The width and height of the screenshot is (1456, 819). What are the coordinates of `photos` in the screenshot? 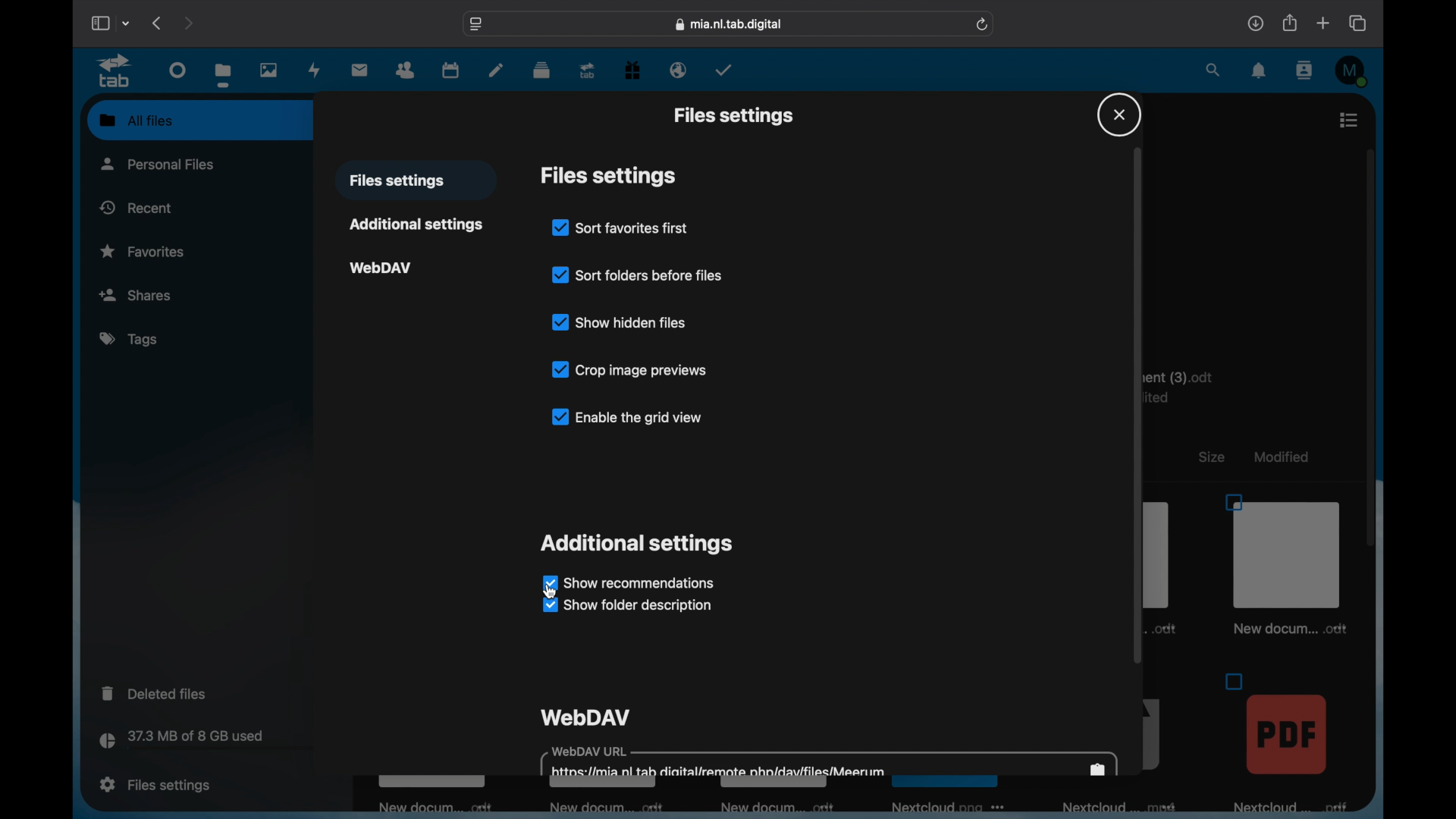 It's located at (268, 70).